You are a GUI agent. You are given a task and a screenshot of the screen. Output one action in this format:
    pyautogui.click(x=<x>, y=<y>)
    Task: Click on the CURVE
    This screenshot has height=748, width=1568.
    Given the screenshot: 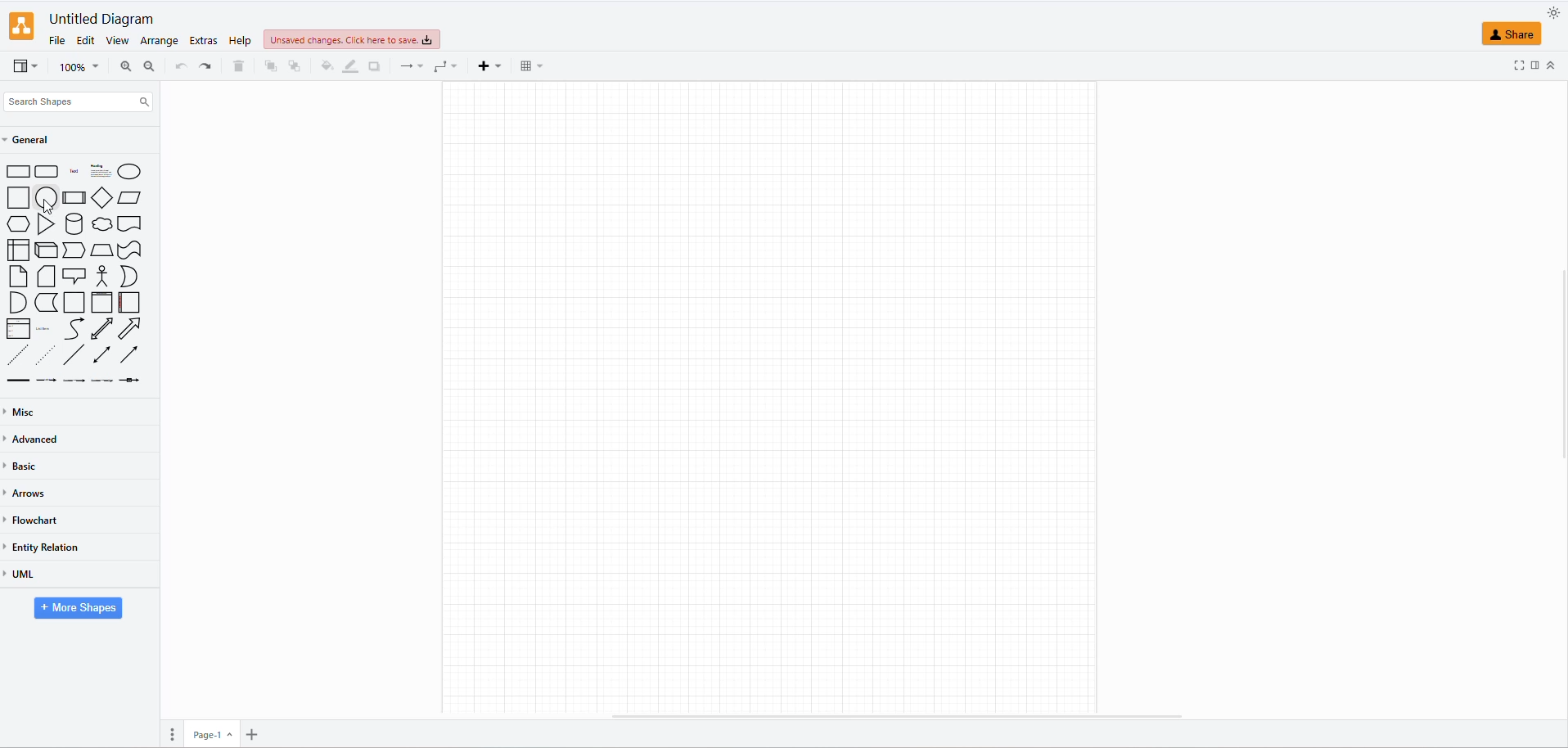 What is the action you would take?
    pyautogui.click(x=75, y=329)
    